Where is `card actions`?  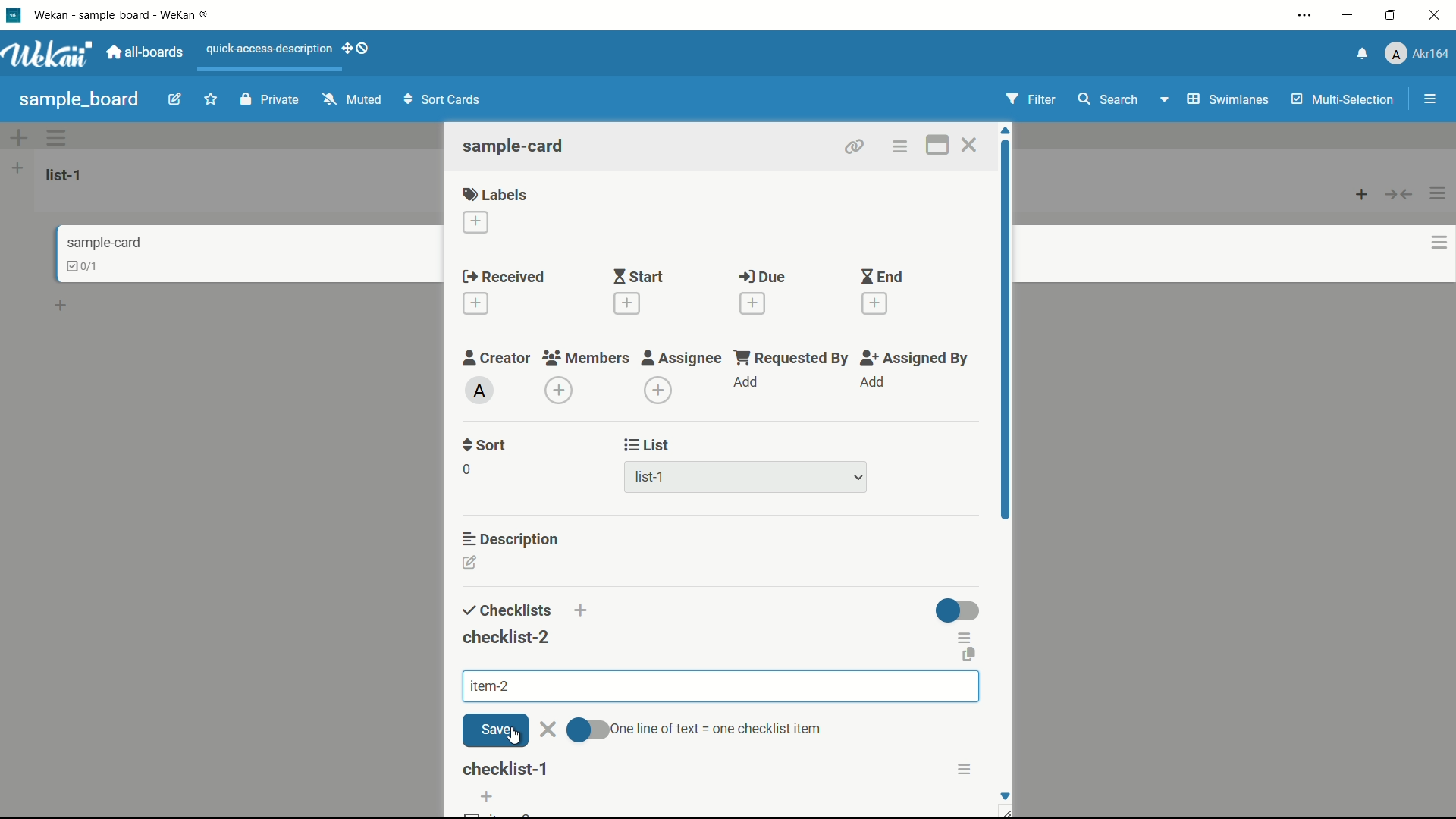
card actions is located at coordinates (899, 147).